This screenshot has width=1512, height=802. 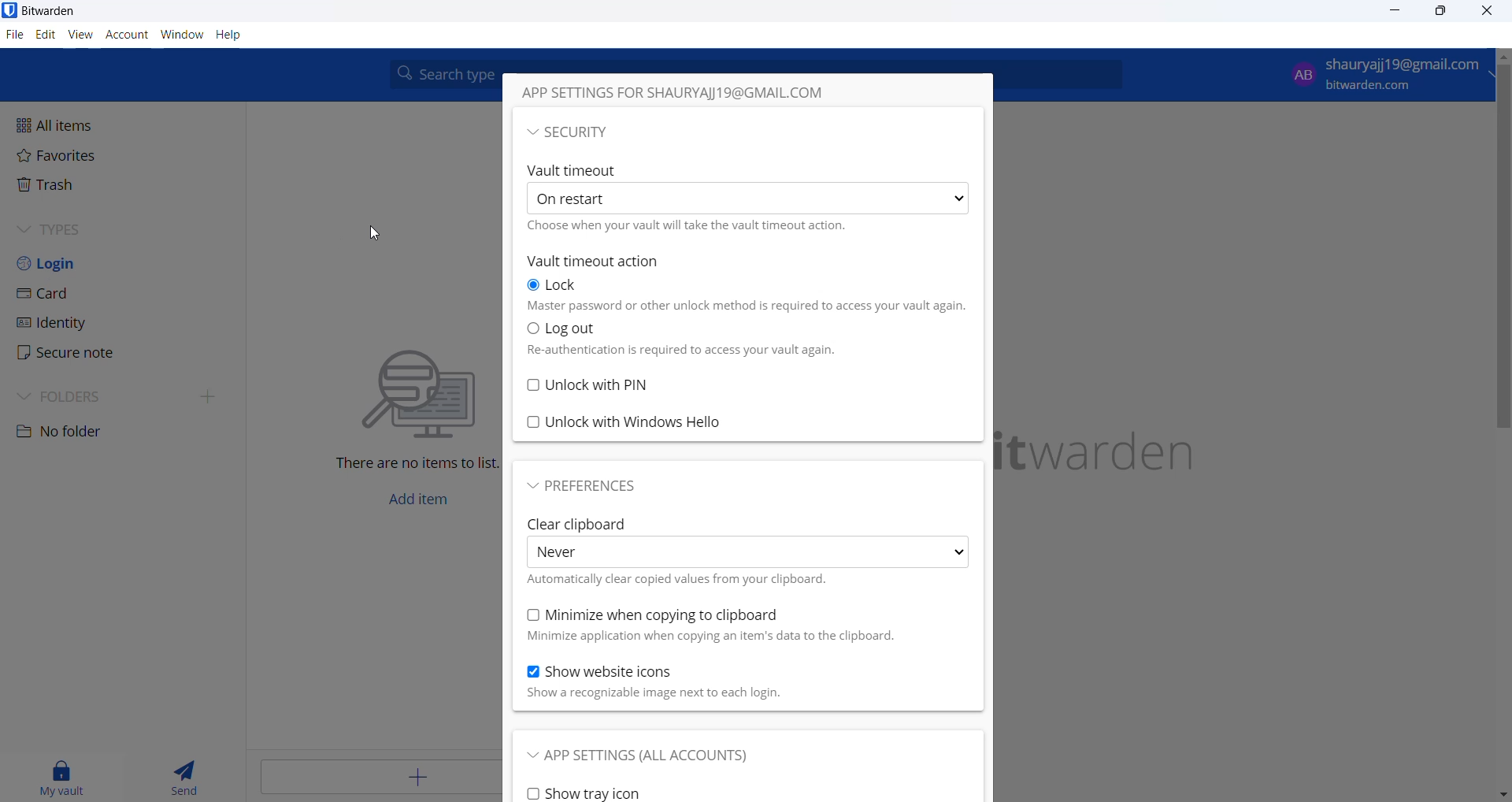 What do you see at coordinates (659, 753) in the screenshot?
I see `app settings (all accounts)` at bounding box center [659, 753].